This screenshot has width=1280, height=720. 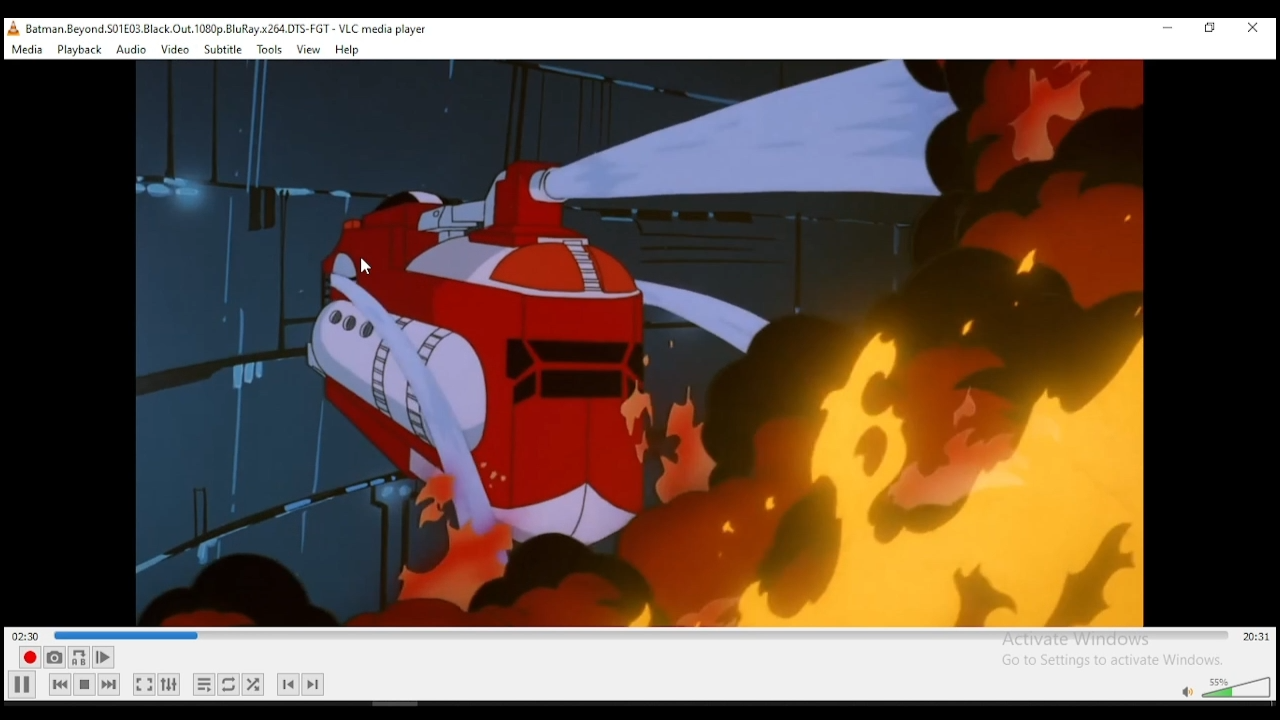 I want to click on video, so click(x=177, y=49).